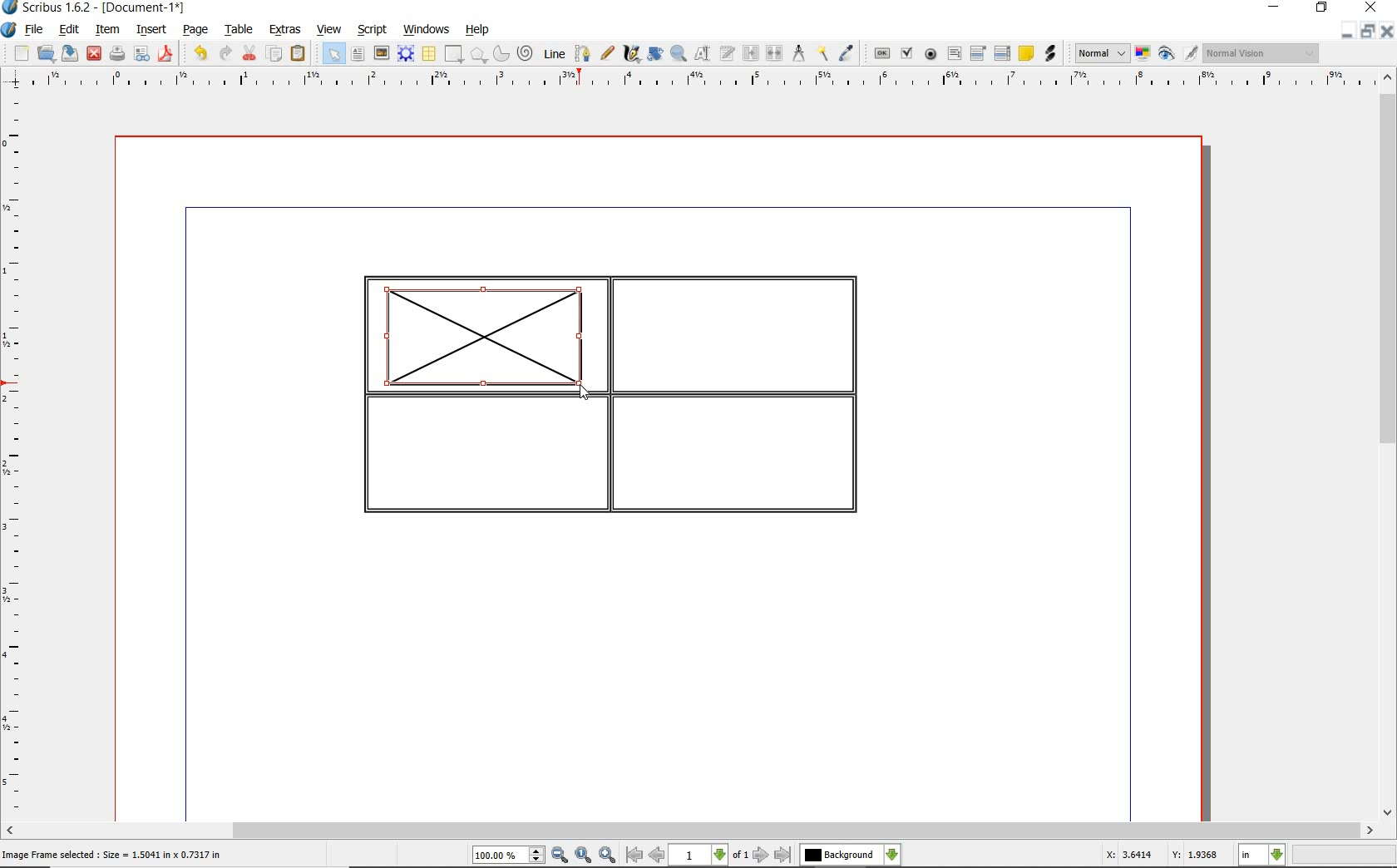  I want to click on item, so click(106, 30).